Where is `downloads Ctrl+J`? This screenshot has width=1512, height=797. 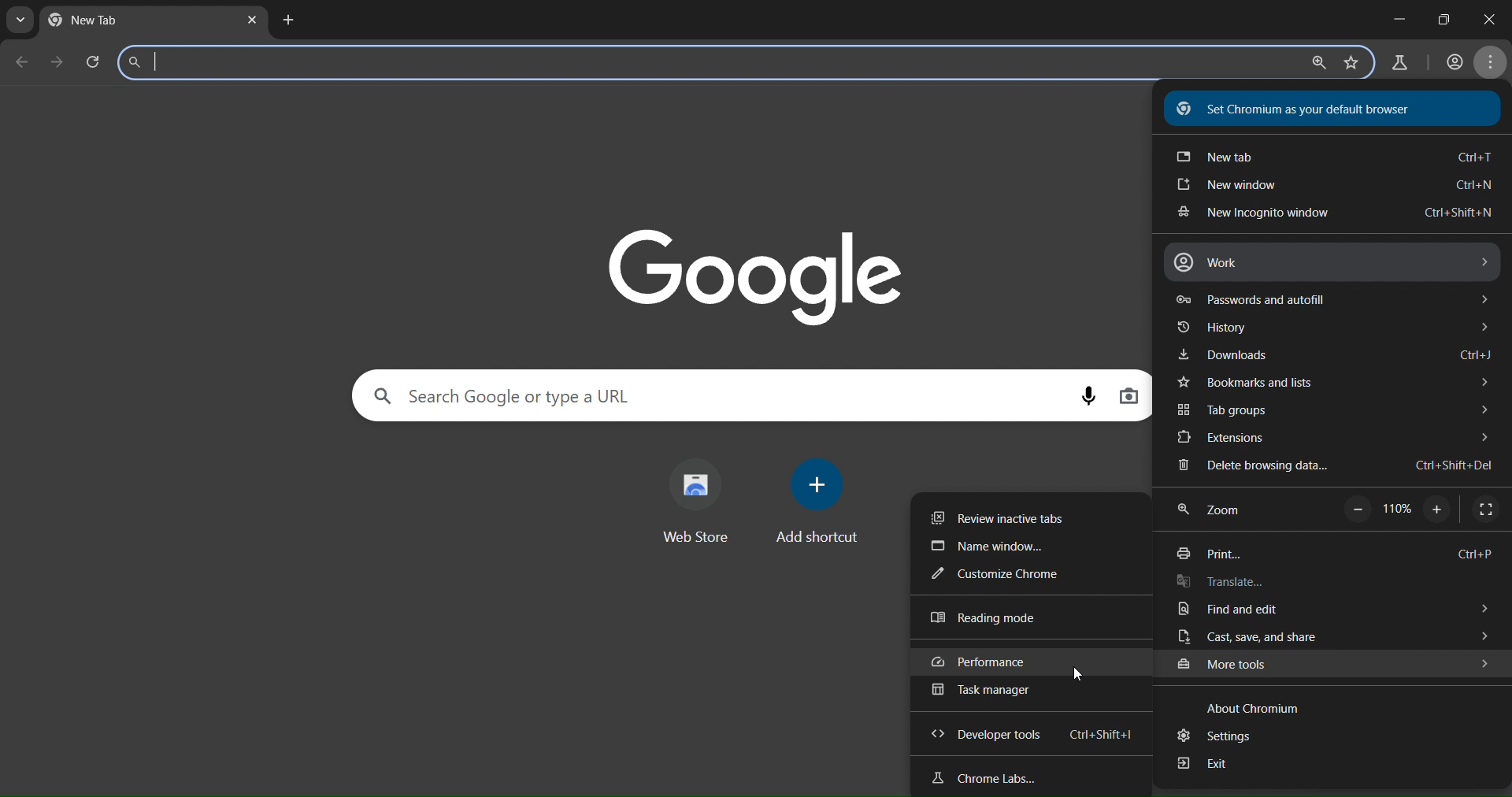
downloads Ctrl+J is located at coordinates (1333, 355).